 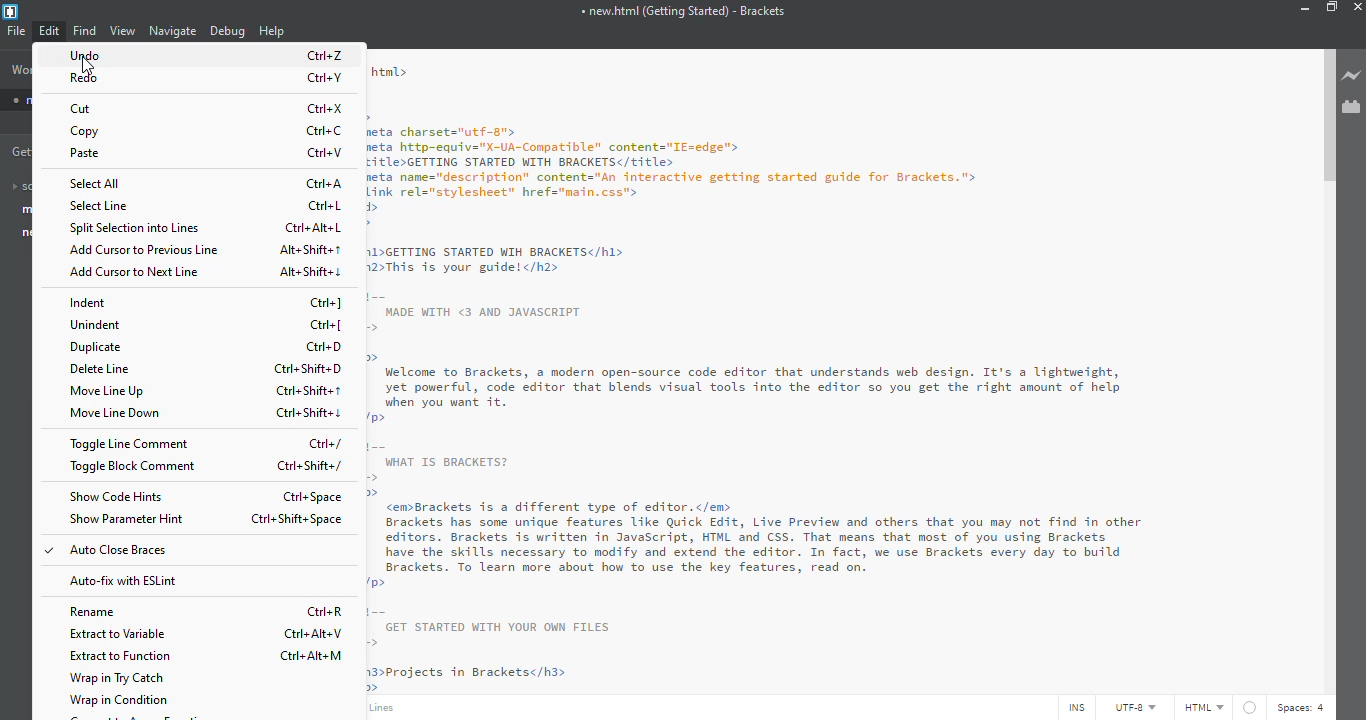 What do you see at coordinates (1351, 106) in the screenshot?
I see `extension manager` at bounding box center [1351, 106].